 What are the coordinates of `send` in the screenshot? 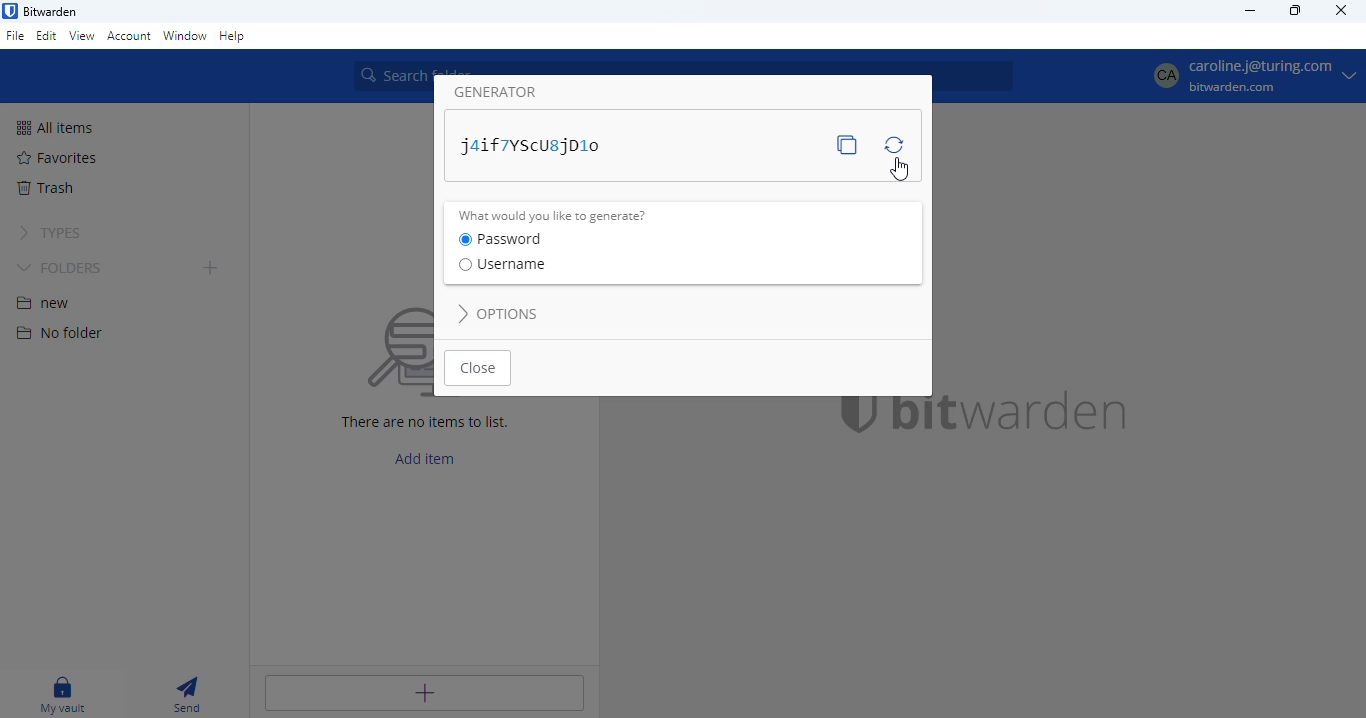 It's located at (186, 694).